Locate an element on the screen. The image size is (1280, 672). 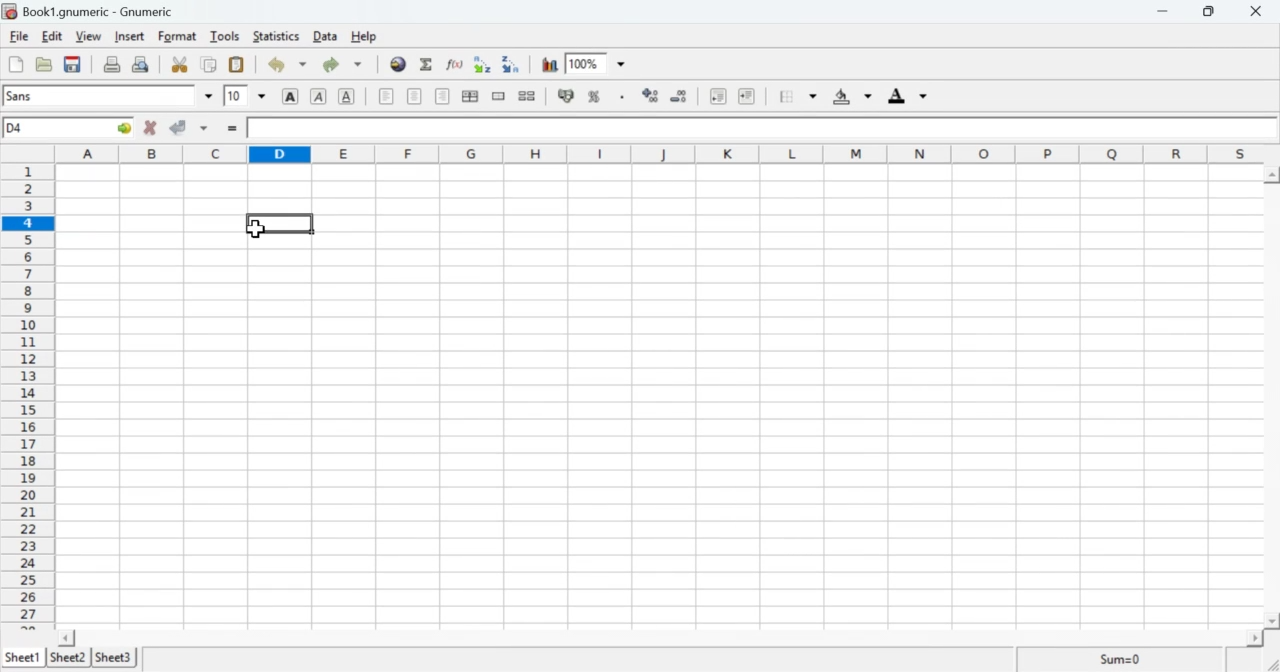
Active Cell is located at coordinates (70, 128).